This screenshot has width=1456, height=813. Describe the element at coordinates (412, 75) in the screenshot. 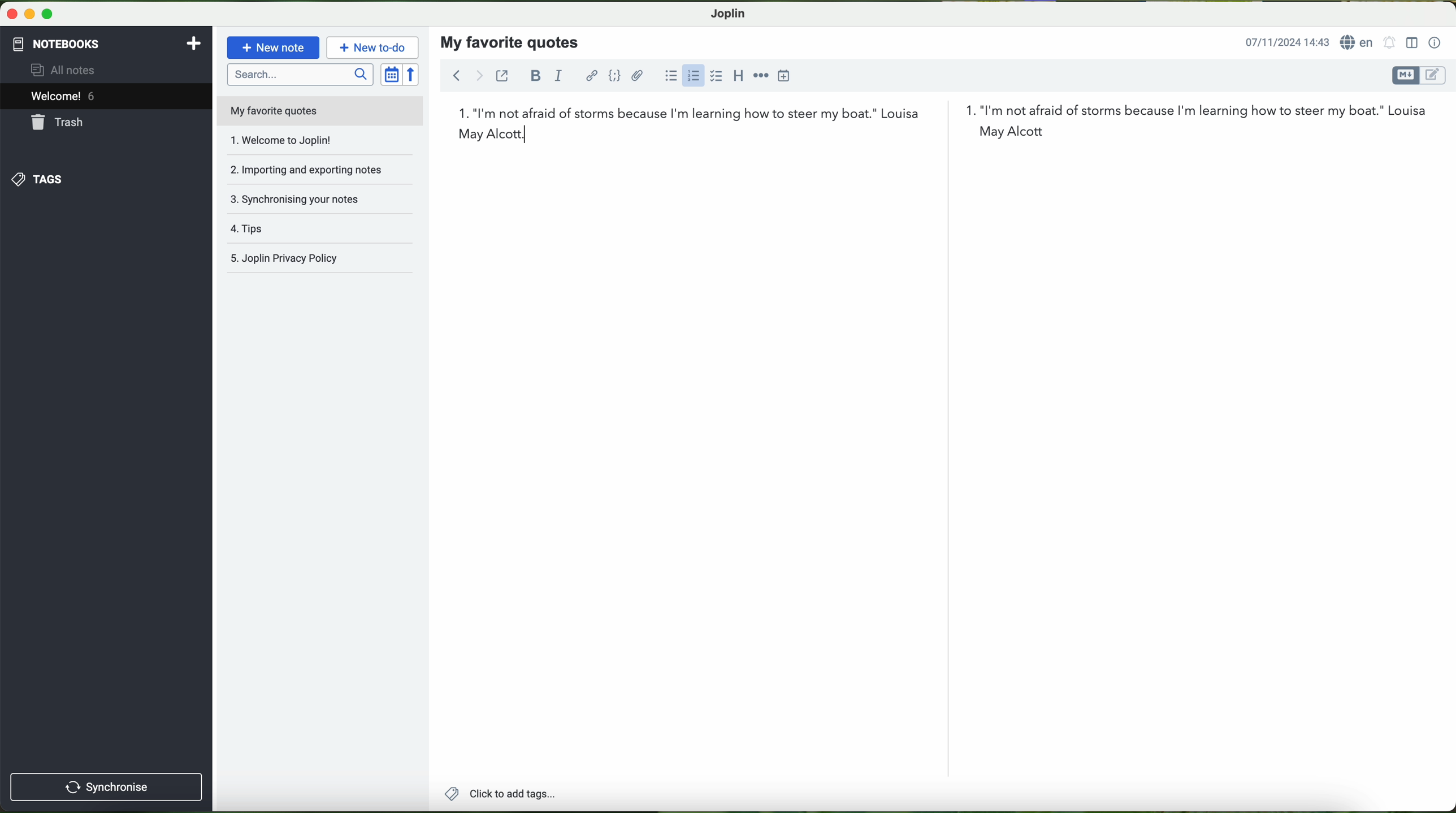

I see `reverse sort order` at that location.